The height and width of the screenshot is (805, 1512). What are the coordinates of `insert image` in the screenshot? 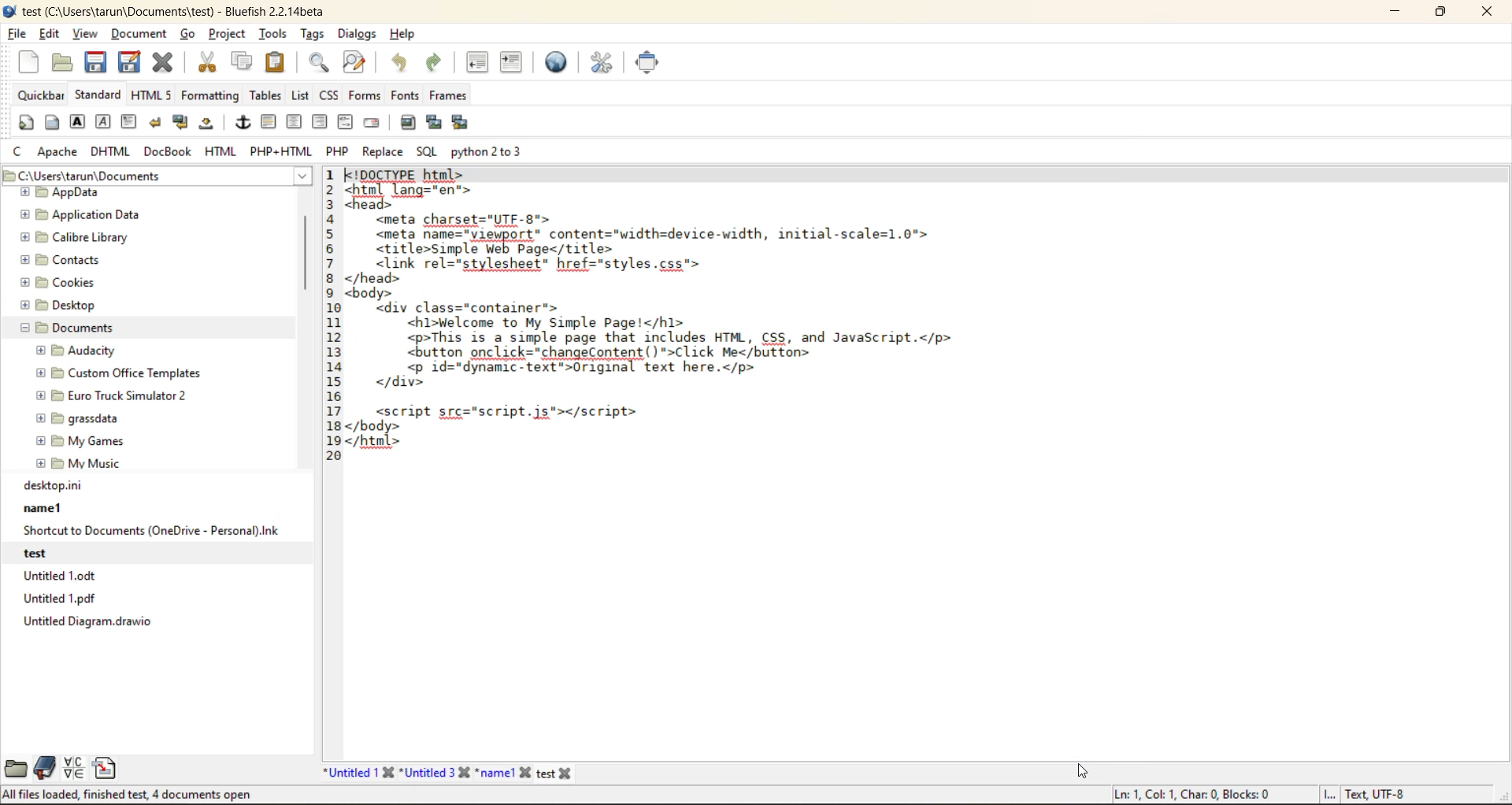 It's located at (410, 123).